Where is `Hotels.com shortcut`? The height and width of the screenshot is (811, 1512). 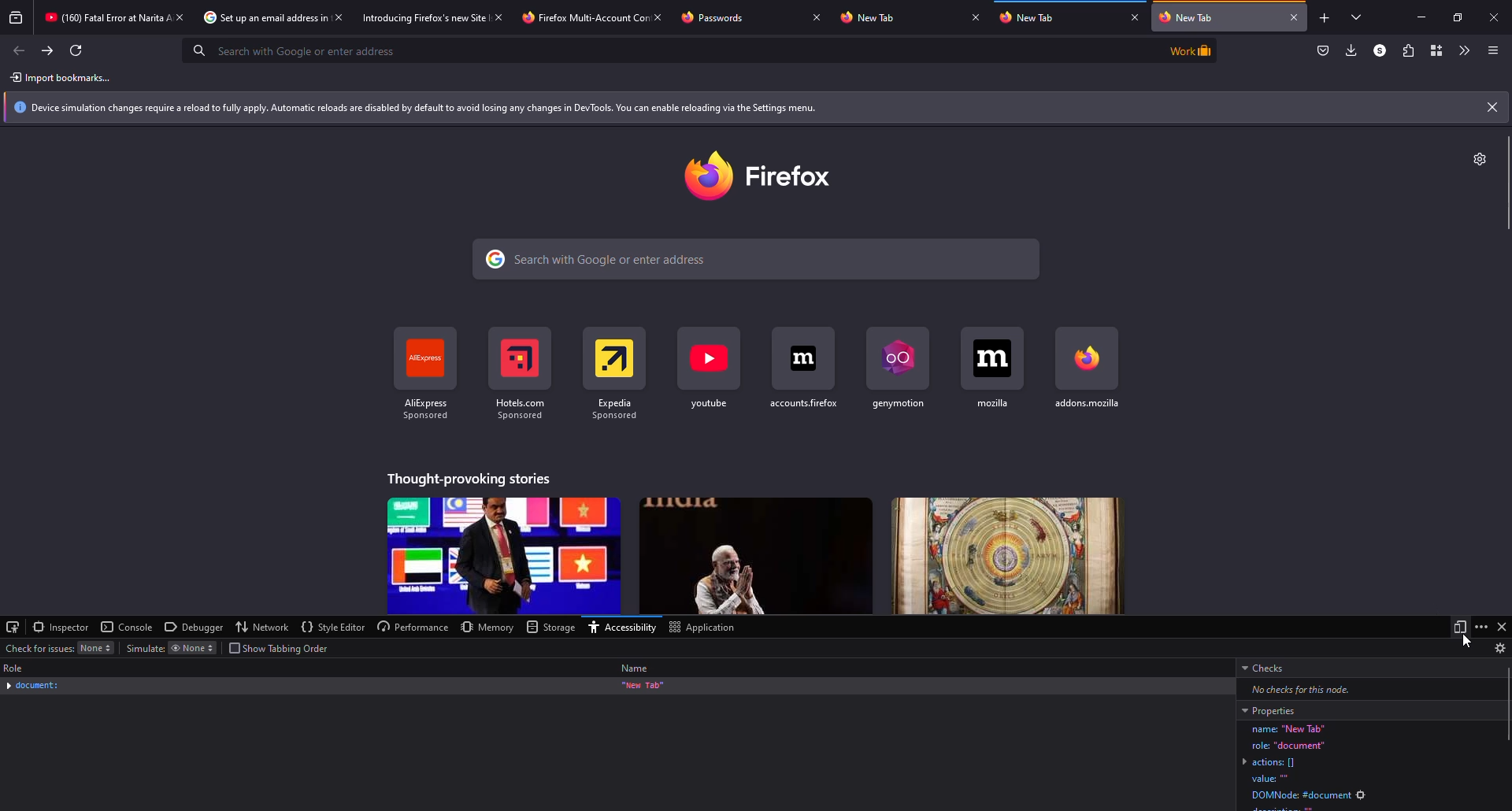
Hotels.com shortcut is located at coordinates (521, 373).